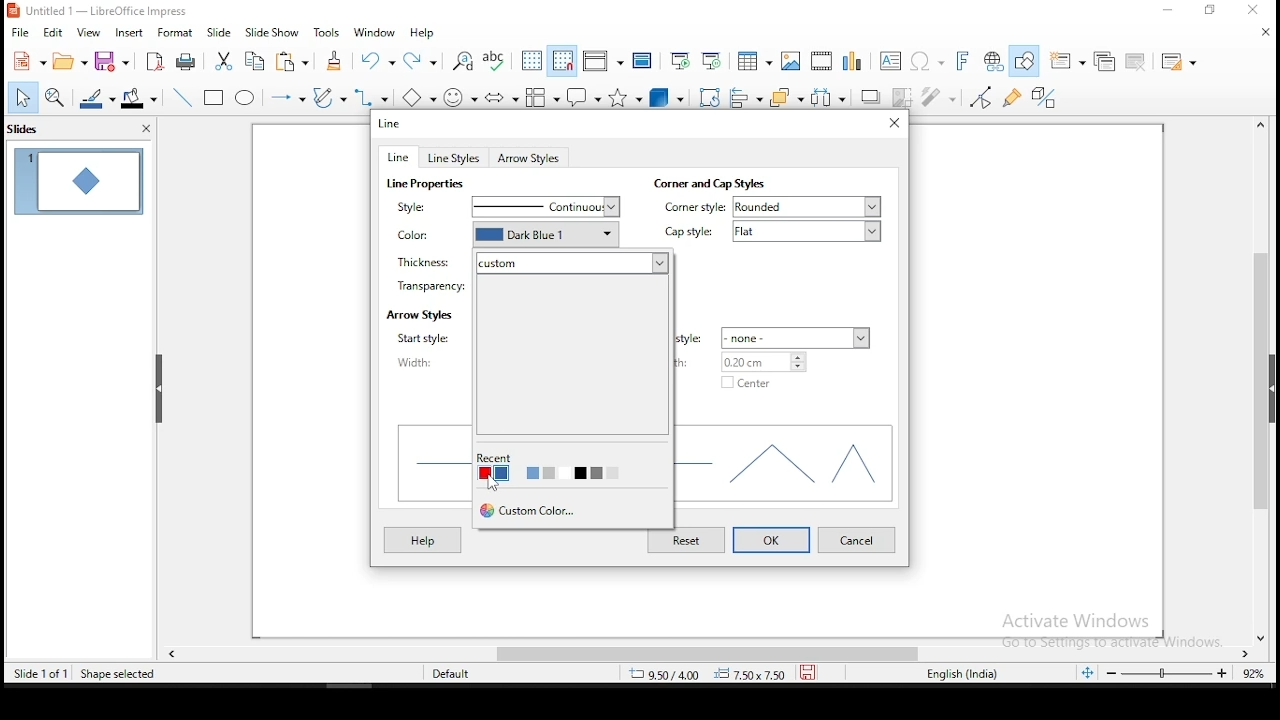  What do you see at coordinates (857, 59) in the screenshot?
I see `charts` at bounding box center [857, 59].